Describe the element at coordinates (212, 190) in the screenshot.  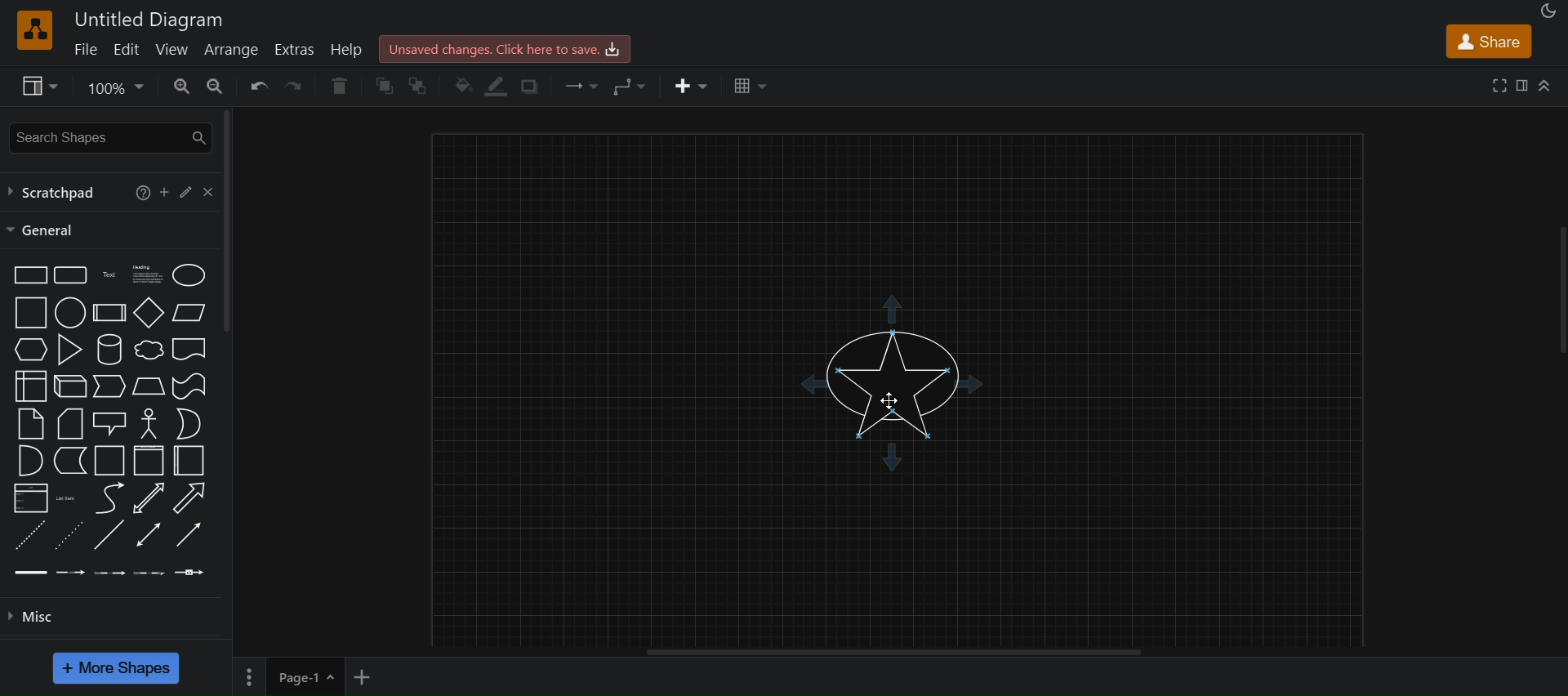
I see `close` at that location.